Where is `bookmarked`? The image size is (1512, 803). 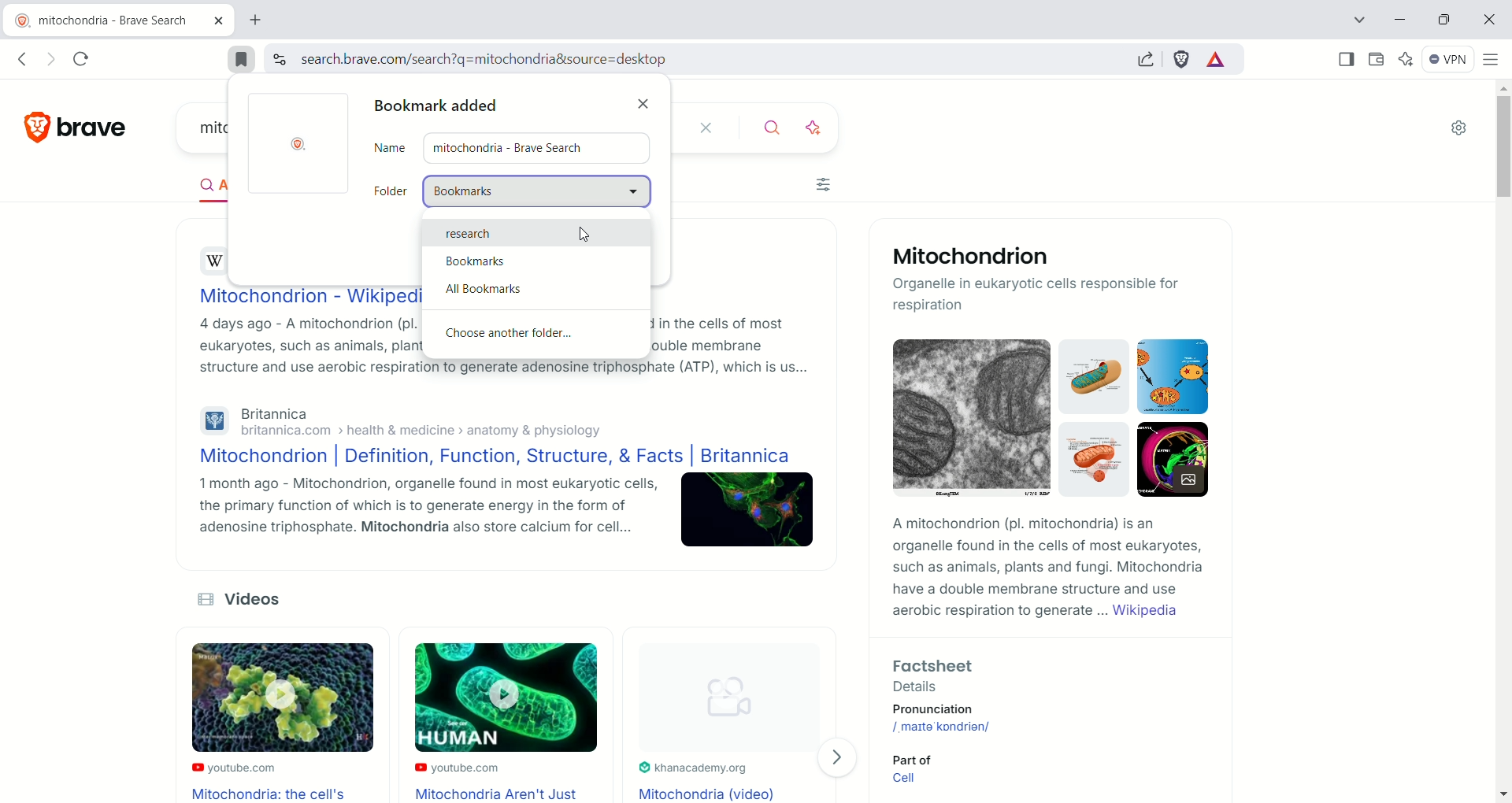 bookmarked is located at coordinates (242, 60).